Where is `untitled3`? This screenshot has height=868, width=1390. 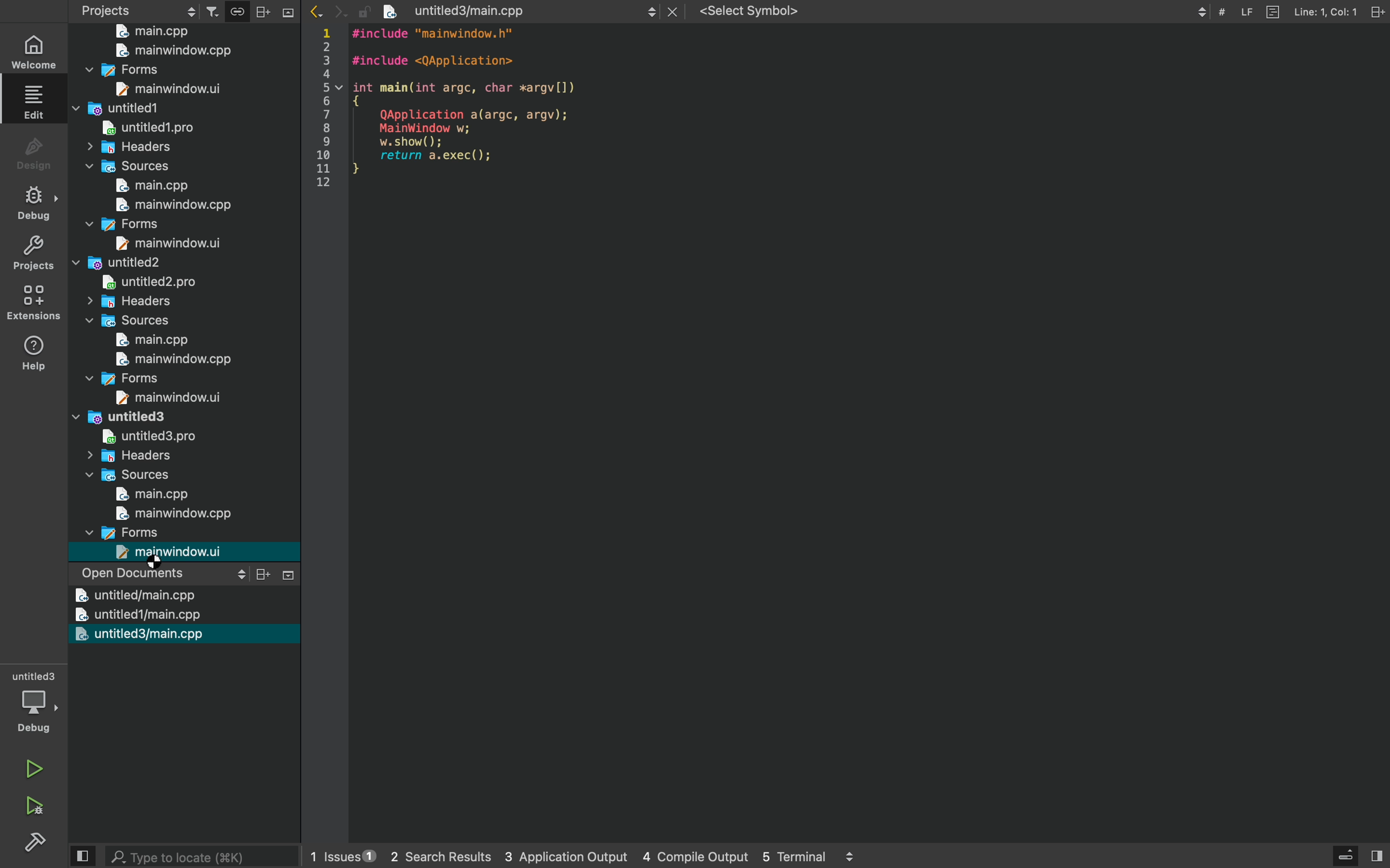
untitled3 is located at coordinates (136, 634).